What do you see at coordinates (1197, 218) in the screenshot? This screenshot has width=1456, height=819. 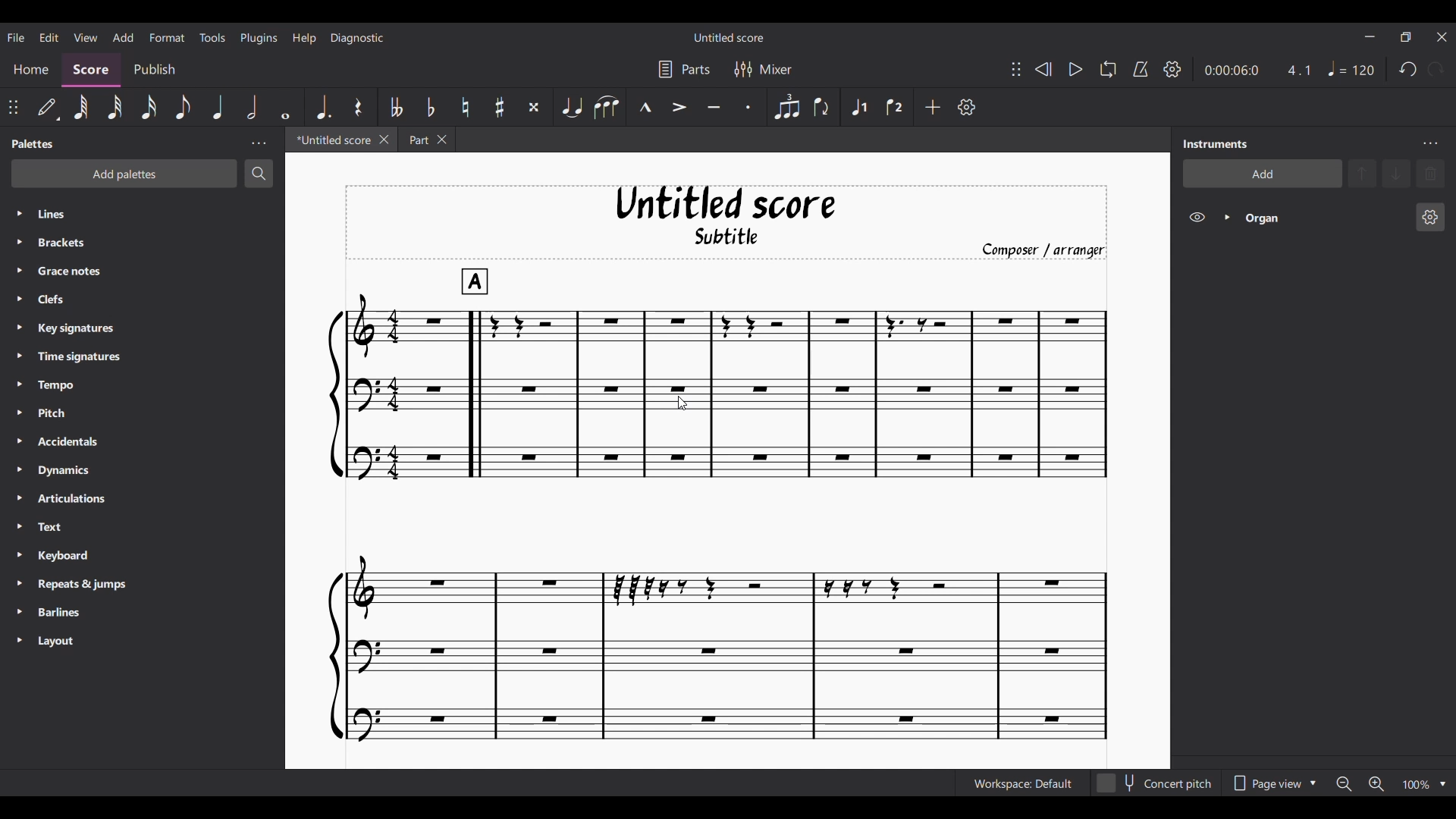 I see `Hide organ` at bounding box center [1197, 218].